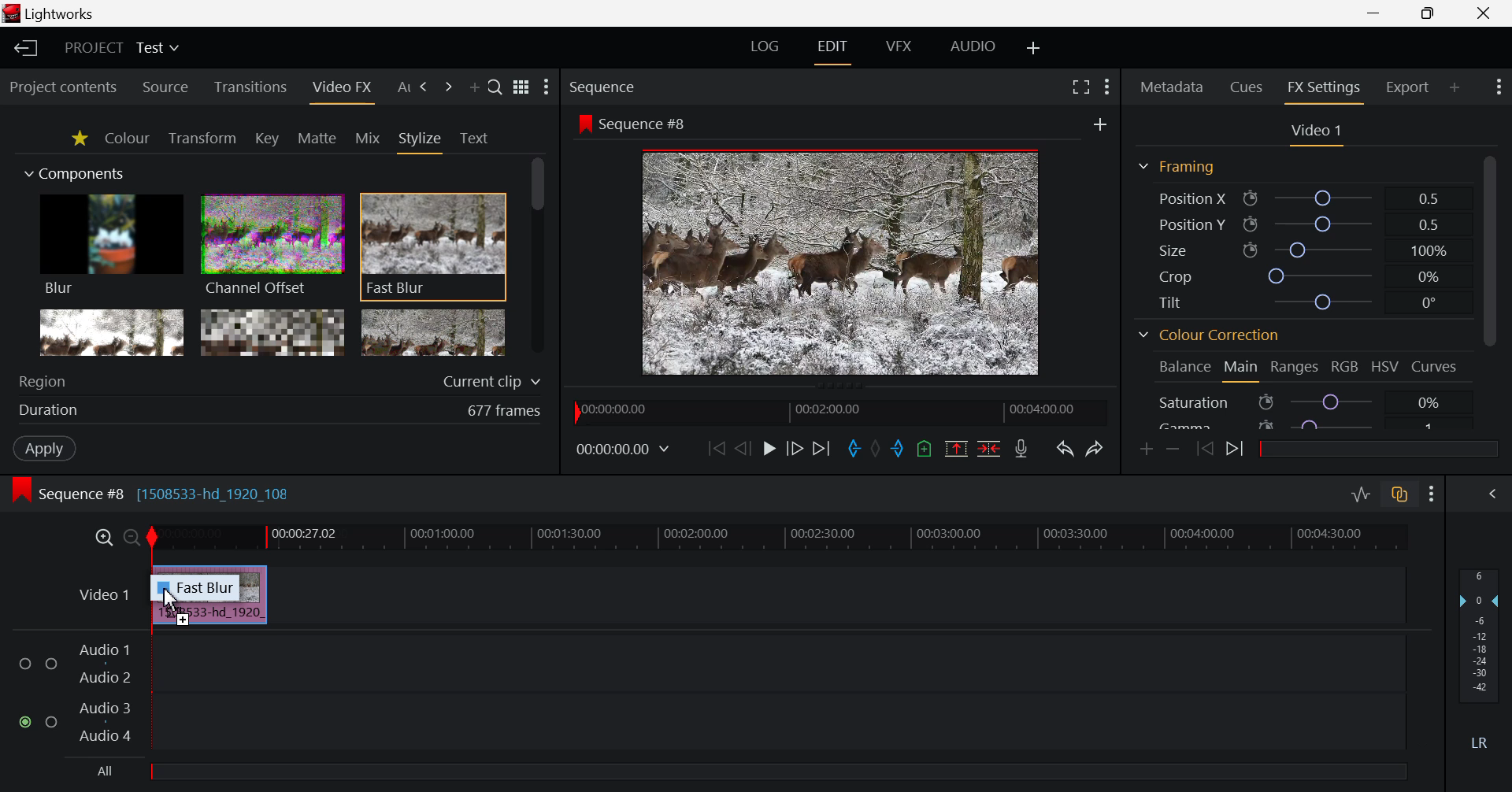 The height and width of the screenshot is (792, 1512). Describe the element at coordinates (1433, 367) in the screenshot. I see `Curves` at that location.